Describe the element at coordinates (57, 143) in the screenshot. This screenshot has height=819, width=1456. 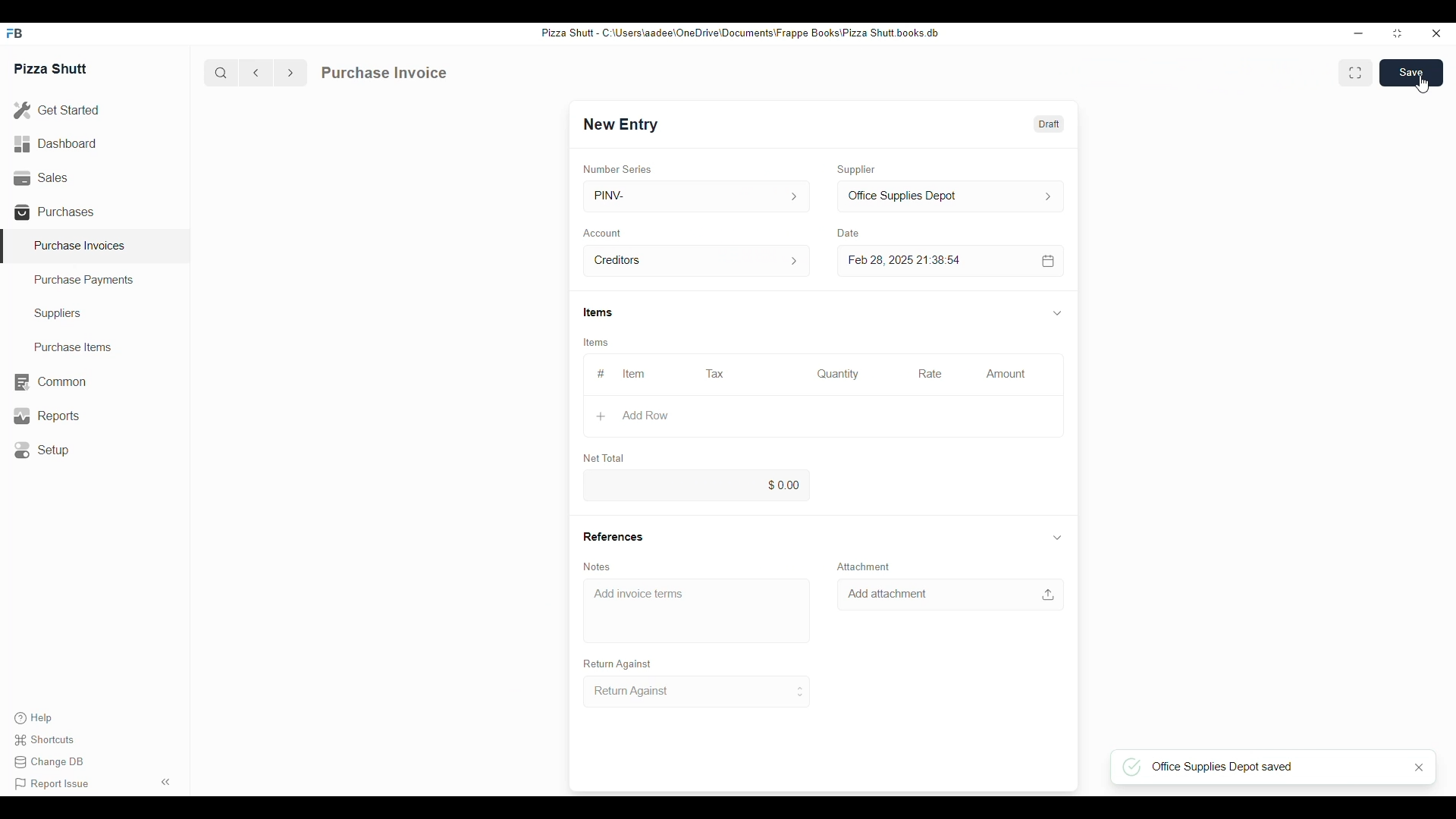
I see `Dashboard` at that location.